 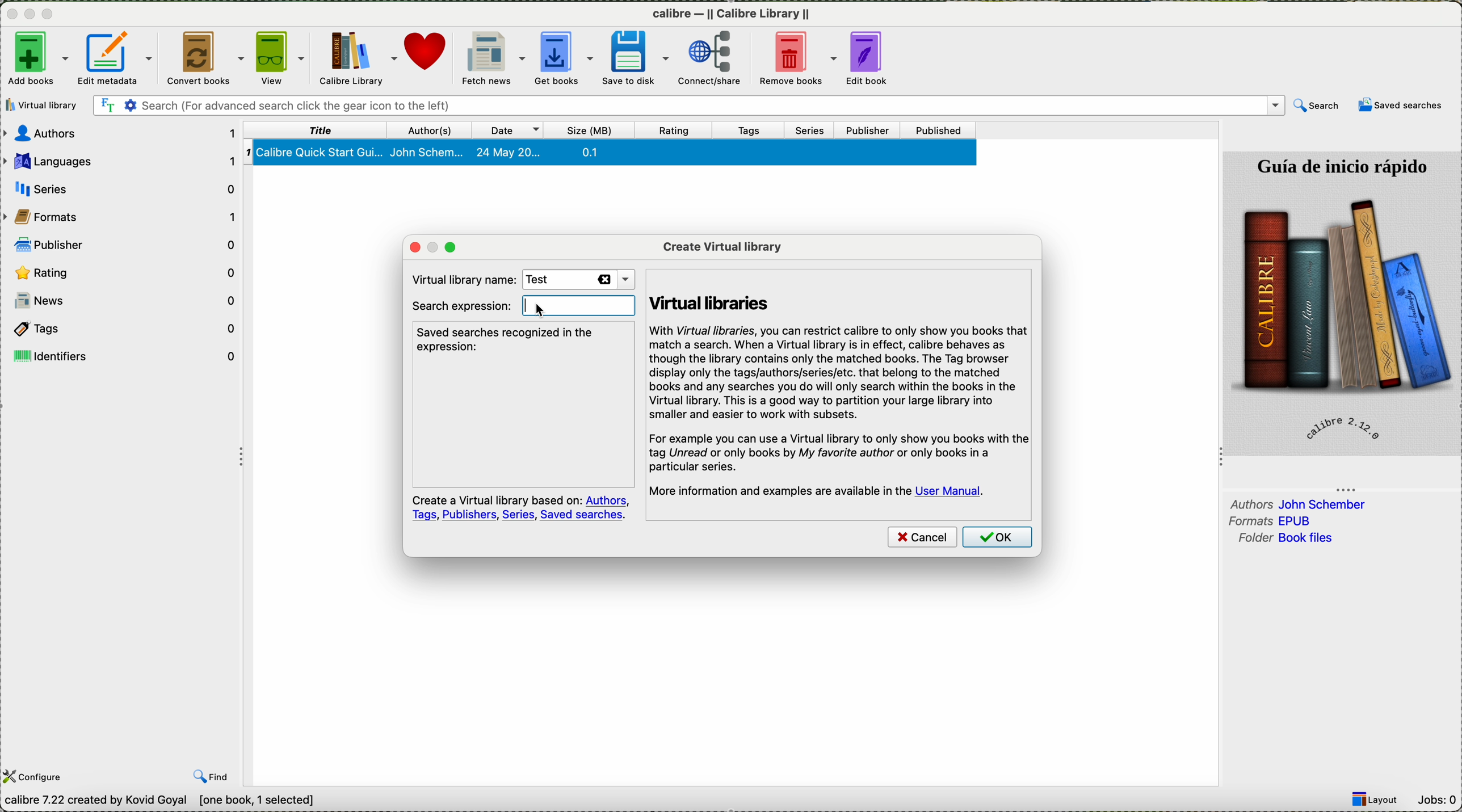 I want to click on series, so click(x=813, y=131).